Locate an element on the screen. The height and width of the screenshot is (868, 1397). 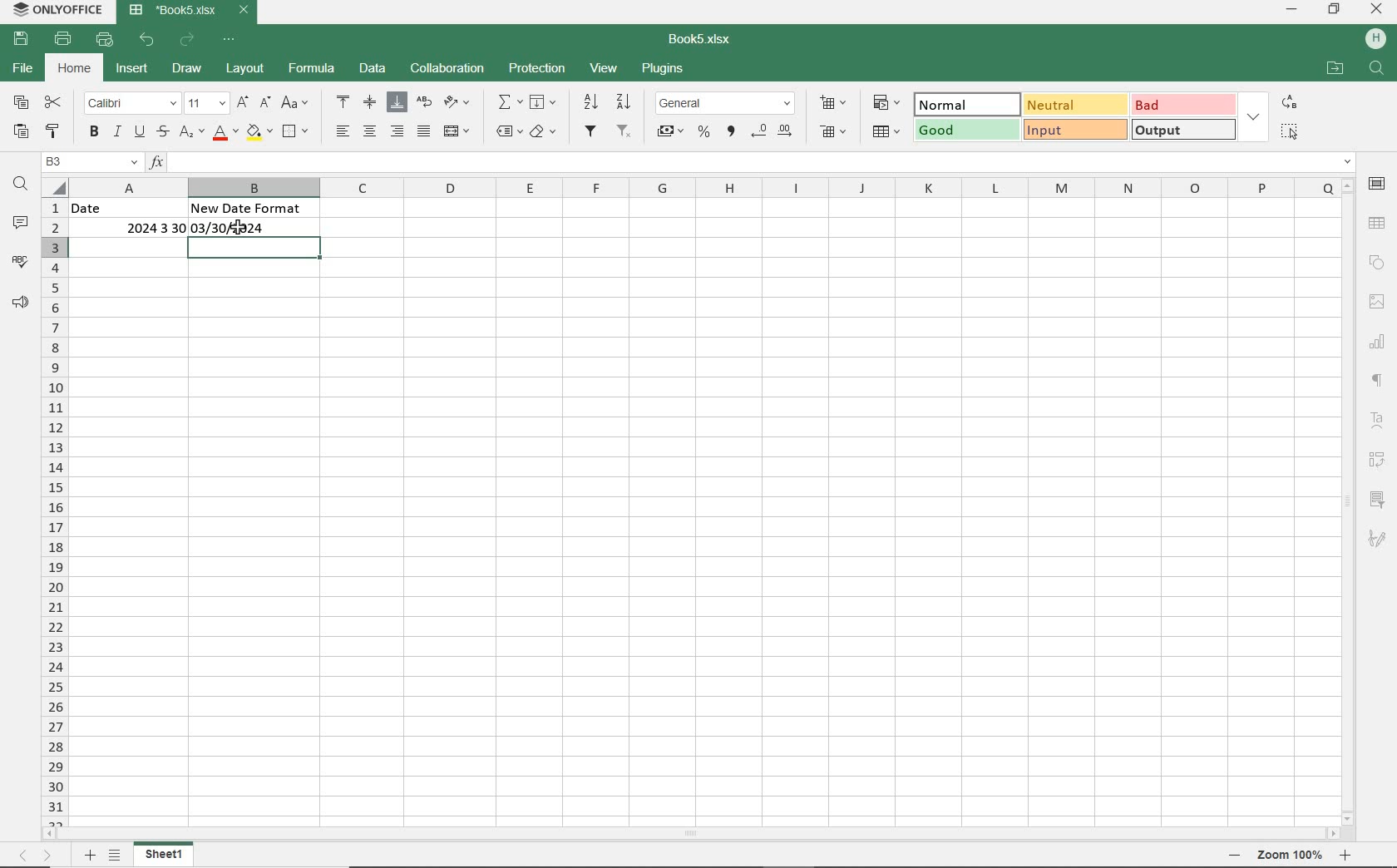
INSERT is located at coordinates (134, 70).